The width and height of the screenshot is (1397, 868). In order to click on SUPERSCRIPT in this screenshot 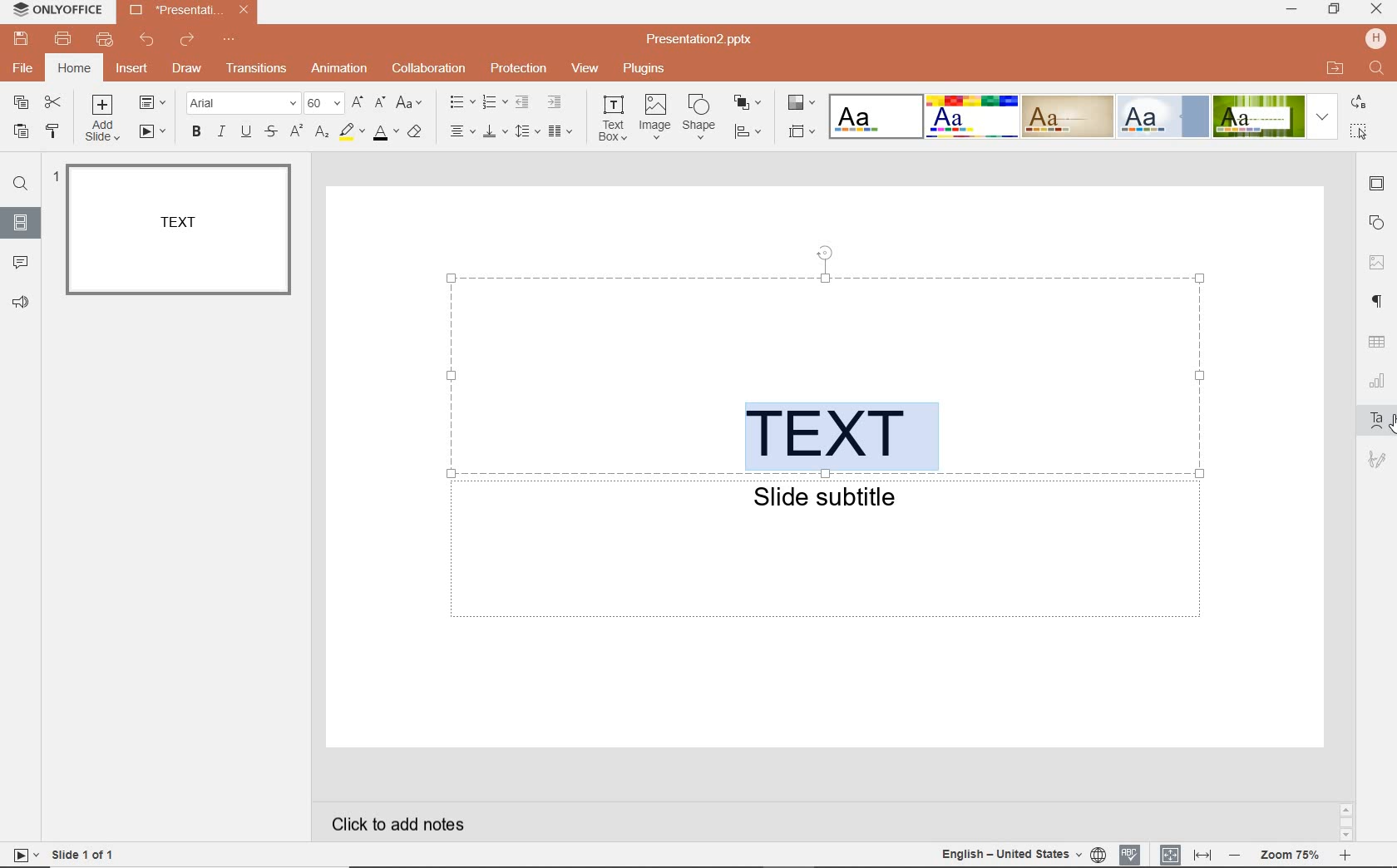, I will do `click(297, 132)`.